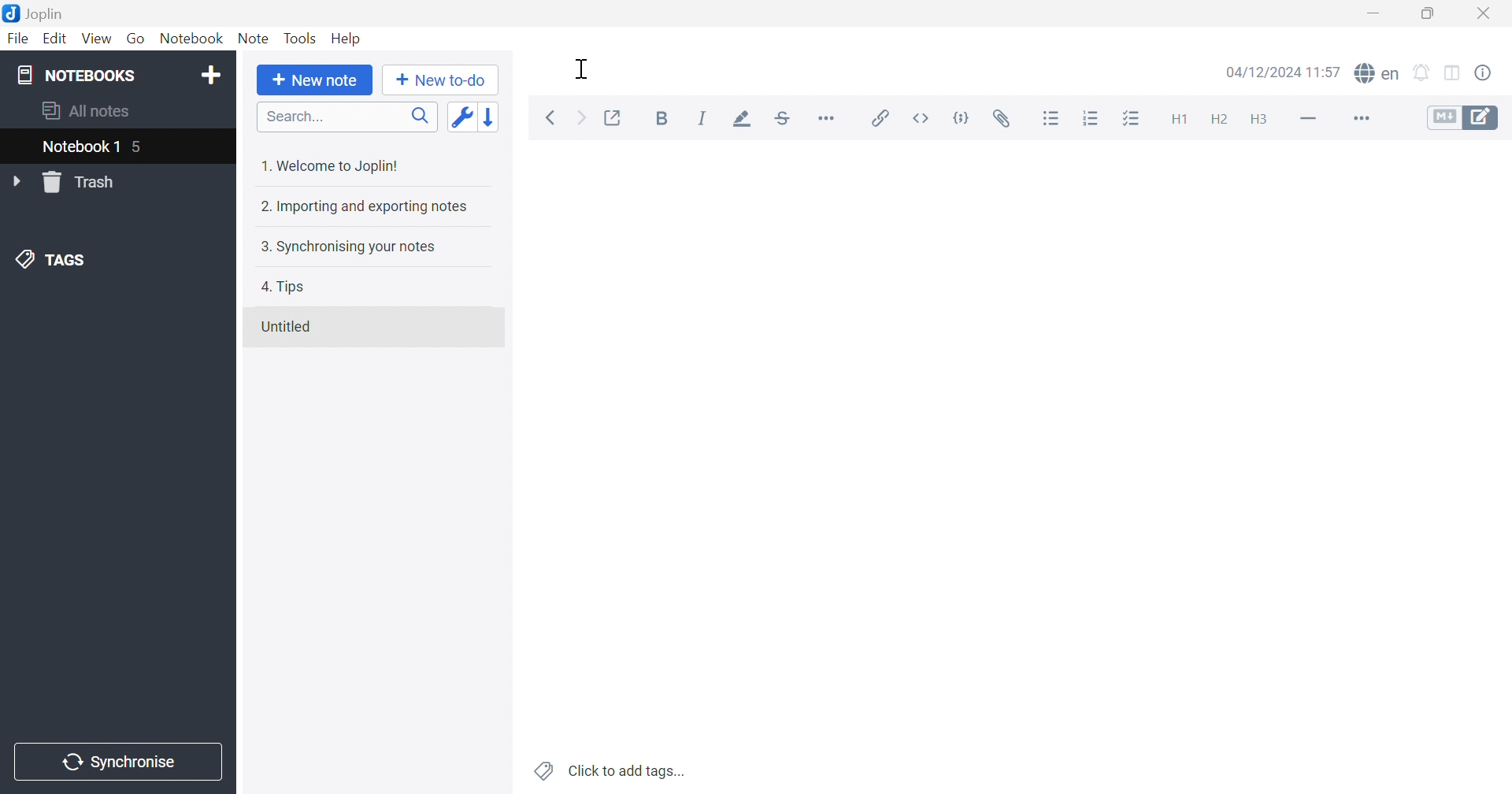 The width and height of the screenshot is (1512, 794). I want to click on Help, so click(346, 38).